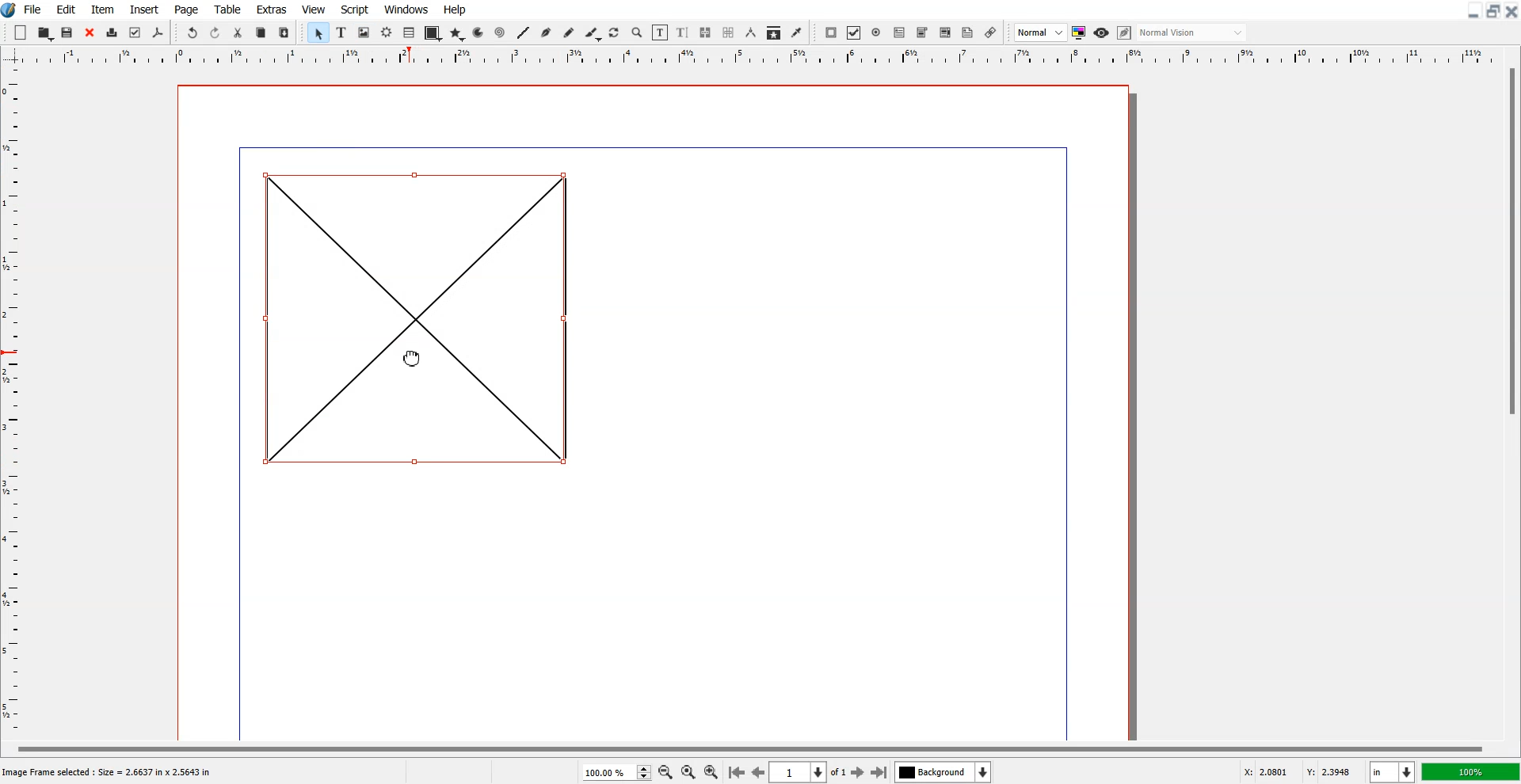  What do you see at coordinates (188, 9) in the screenshot?
I see `Page` at bounding box center [188, 9].